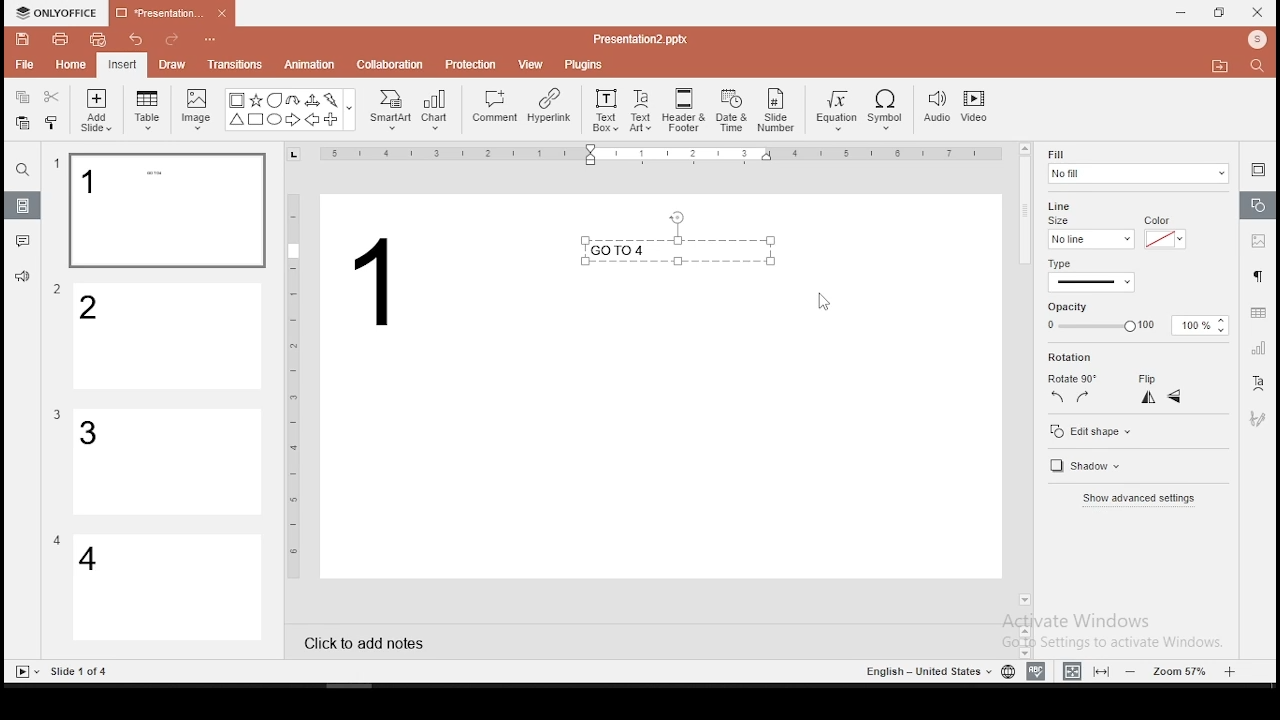  I want to click on presentation, so click(169, 15).